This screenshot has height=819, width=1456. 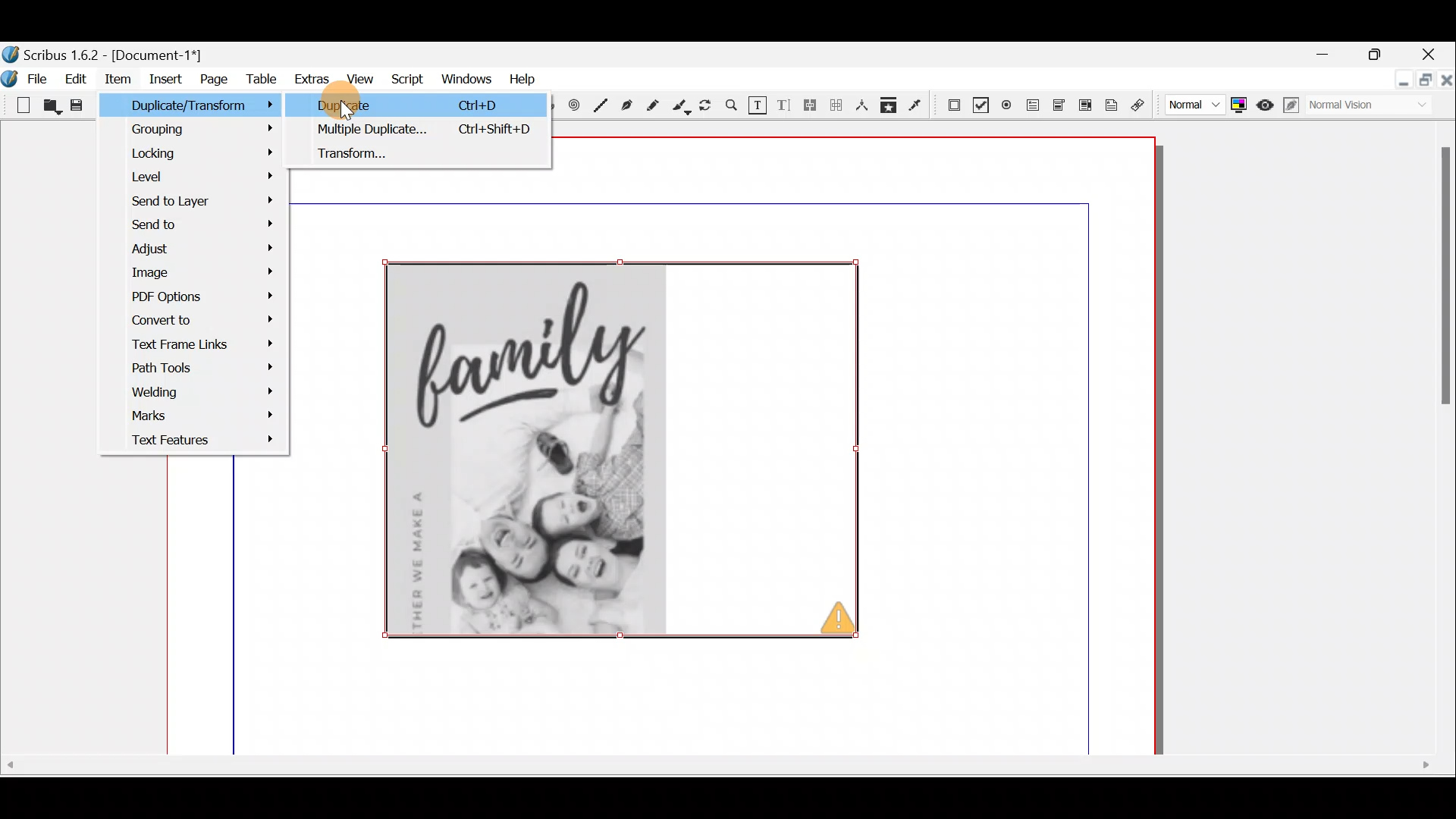 I want to click on Copy item properties, so click(x=893, y=107).